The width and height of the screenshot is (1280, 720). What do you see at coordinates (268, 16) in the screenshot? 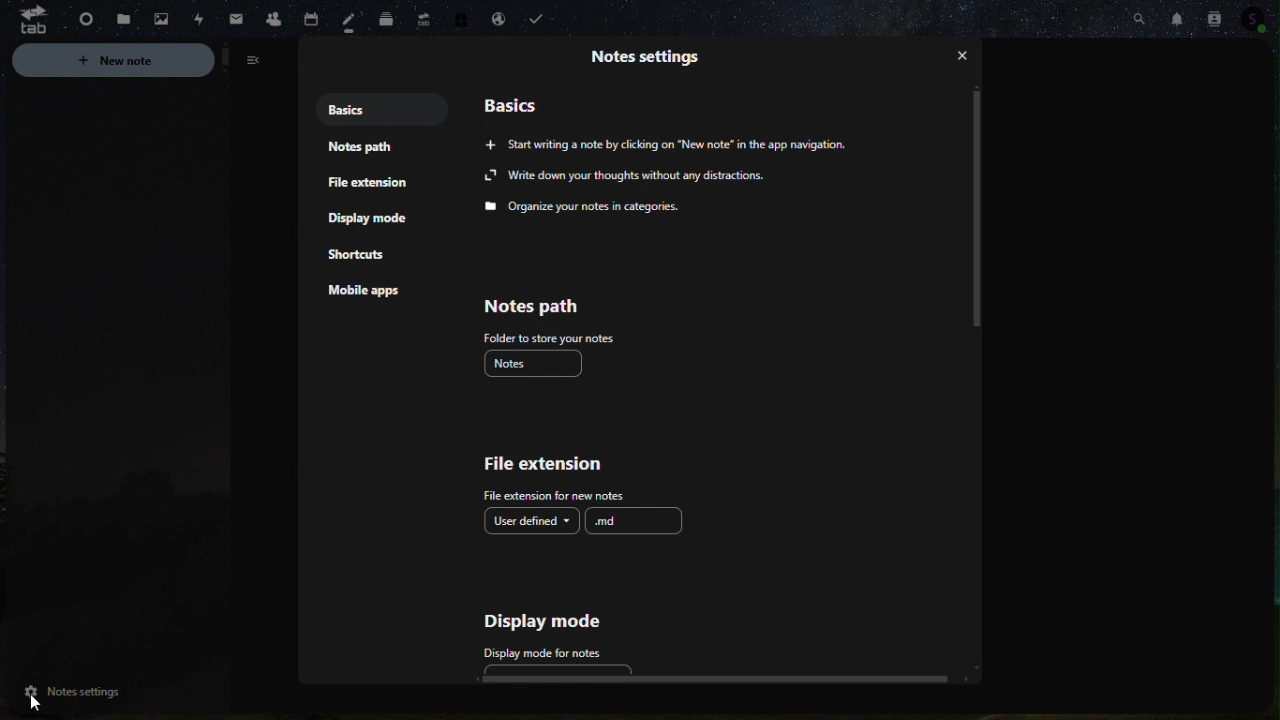
I see `Contacts` at bounding box center [268, 16].